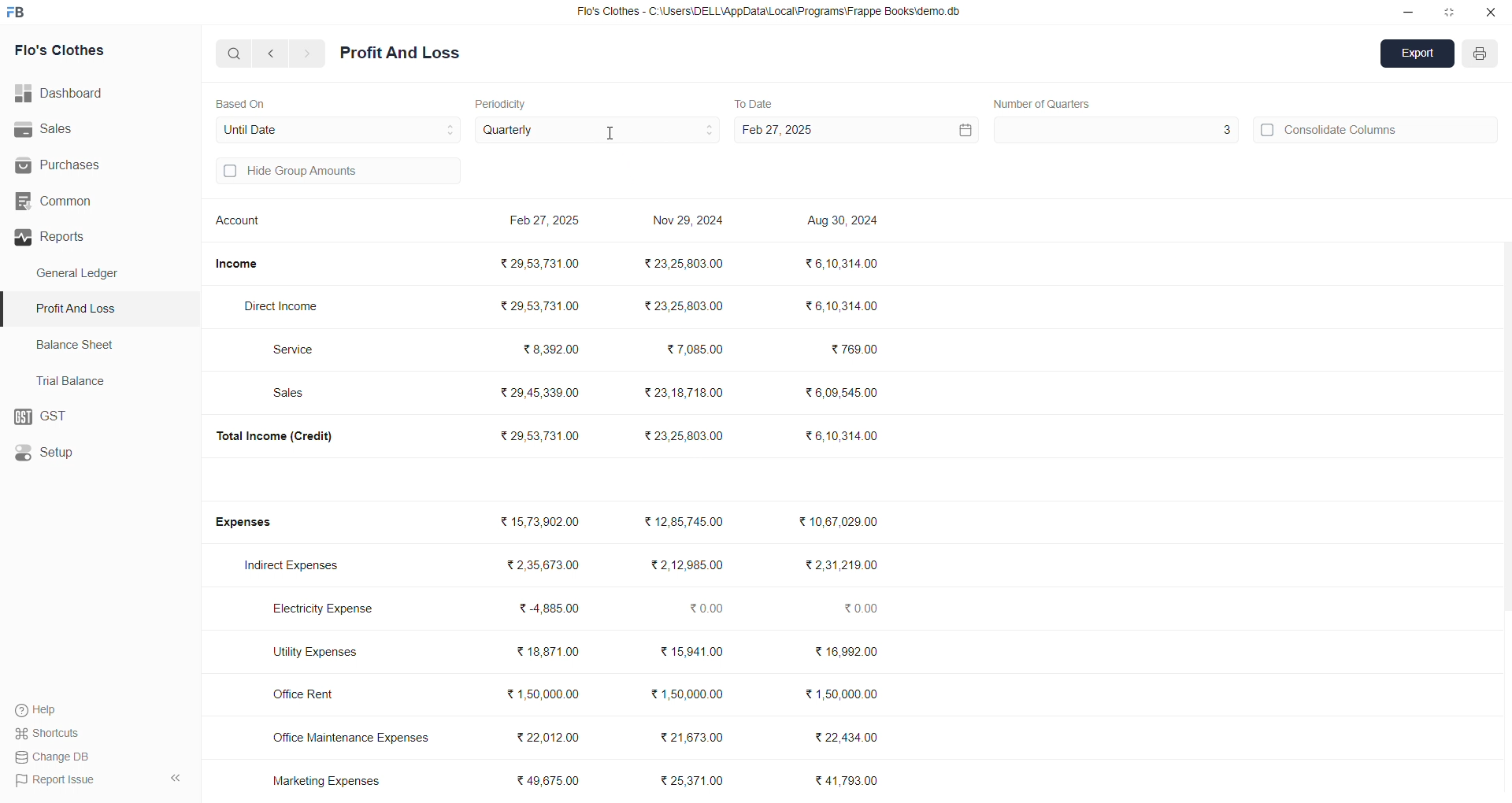  I want to click on ₹0.00, so click(708, 609).